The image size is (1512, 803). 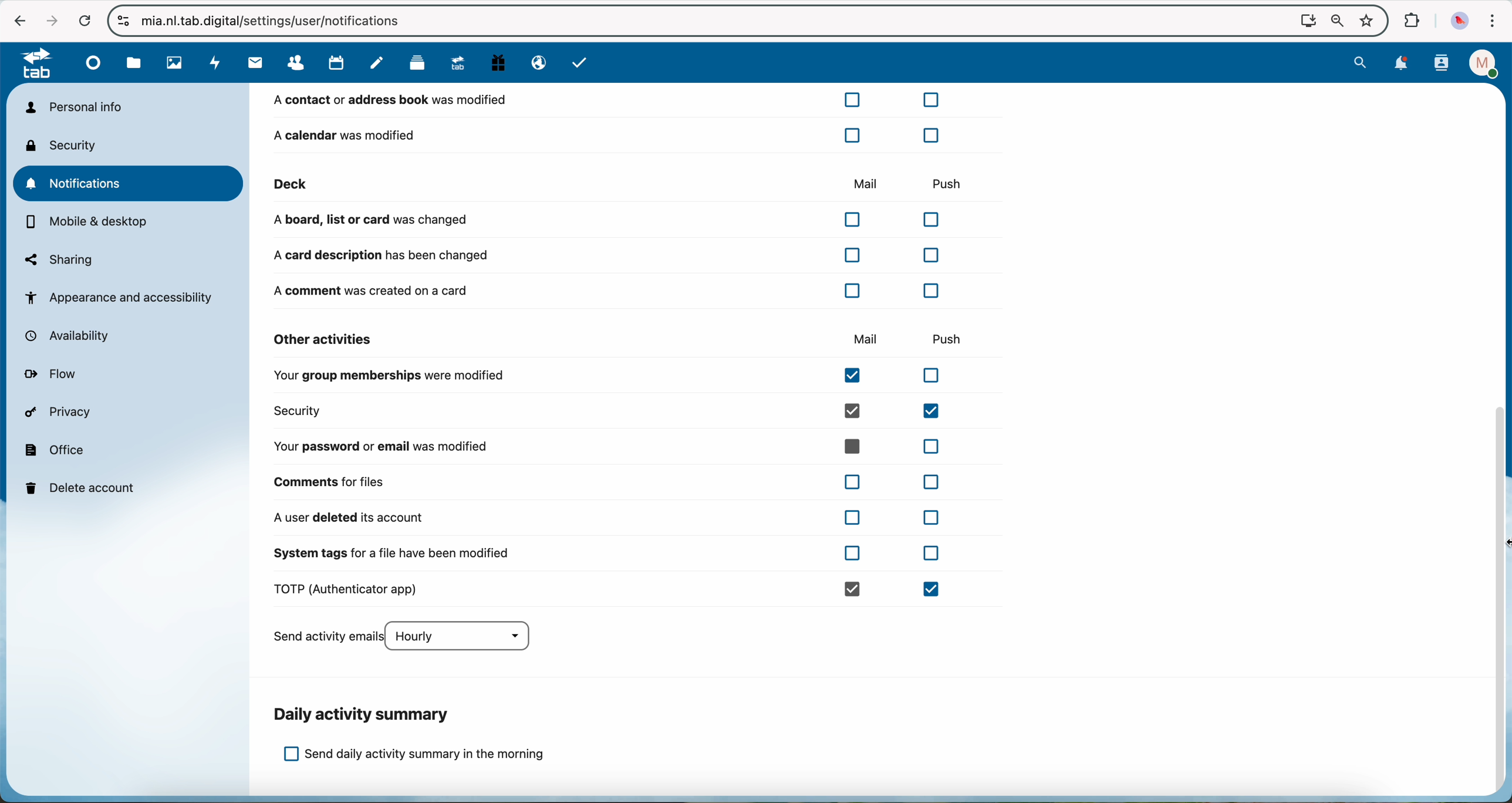 I want to click on mobile and desktop, so click(x=89, y=223).